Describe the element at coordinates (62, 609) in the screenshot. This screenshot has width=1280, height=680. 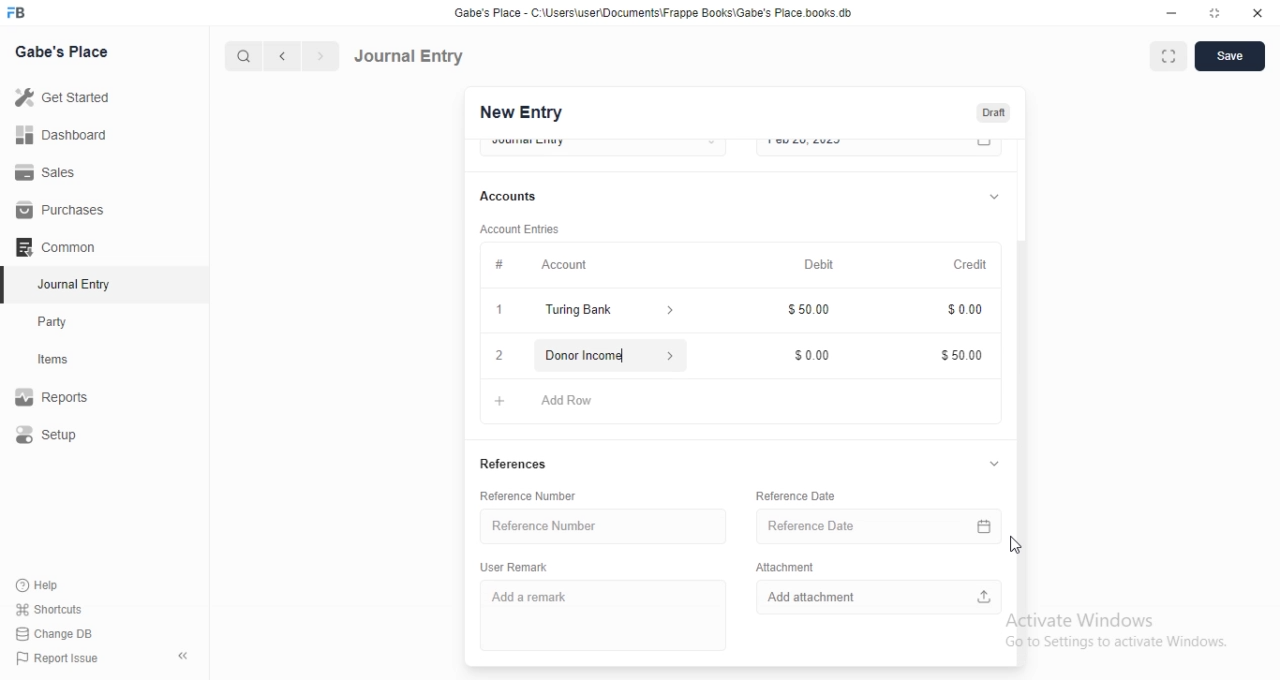
I see `‘Shortcuts` at that location.